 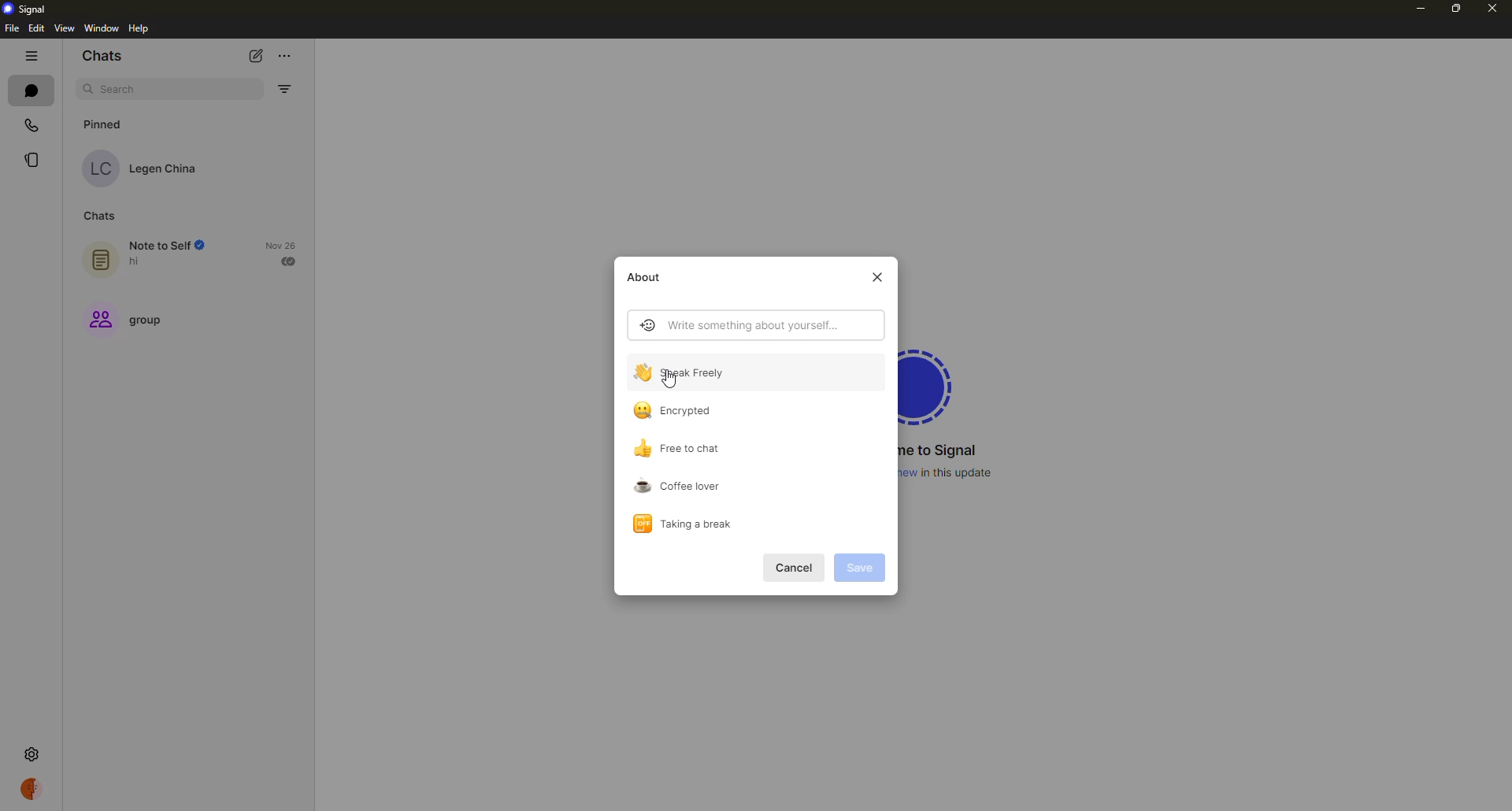 I want to click on new chat, so click(x=260, y=54).